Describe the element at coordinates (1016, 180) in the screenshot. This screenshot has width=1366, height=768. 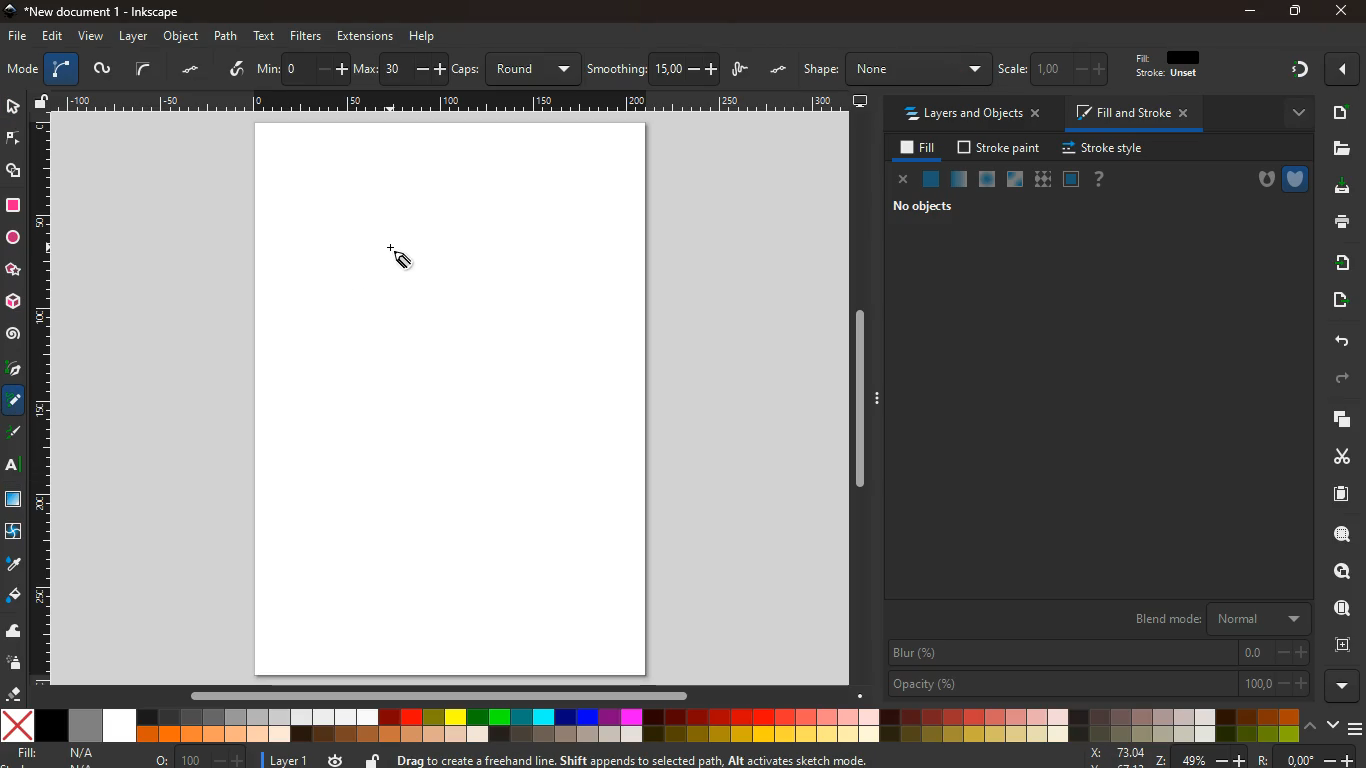
I see `window` at that location.